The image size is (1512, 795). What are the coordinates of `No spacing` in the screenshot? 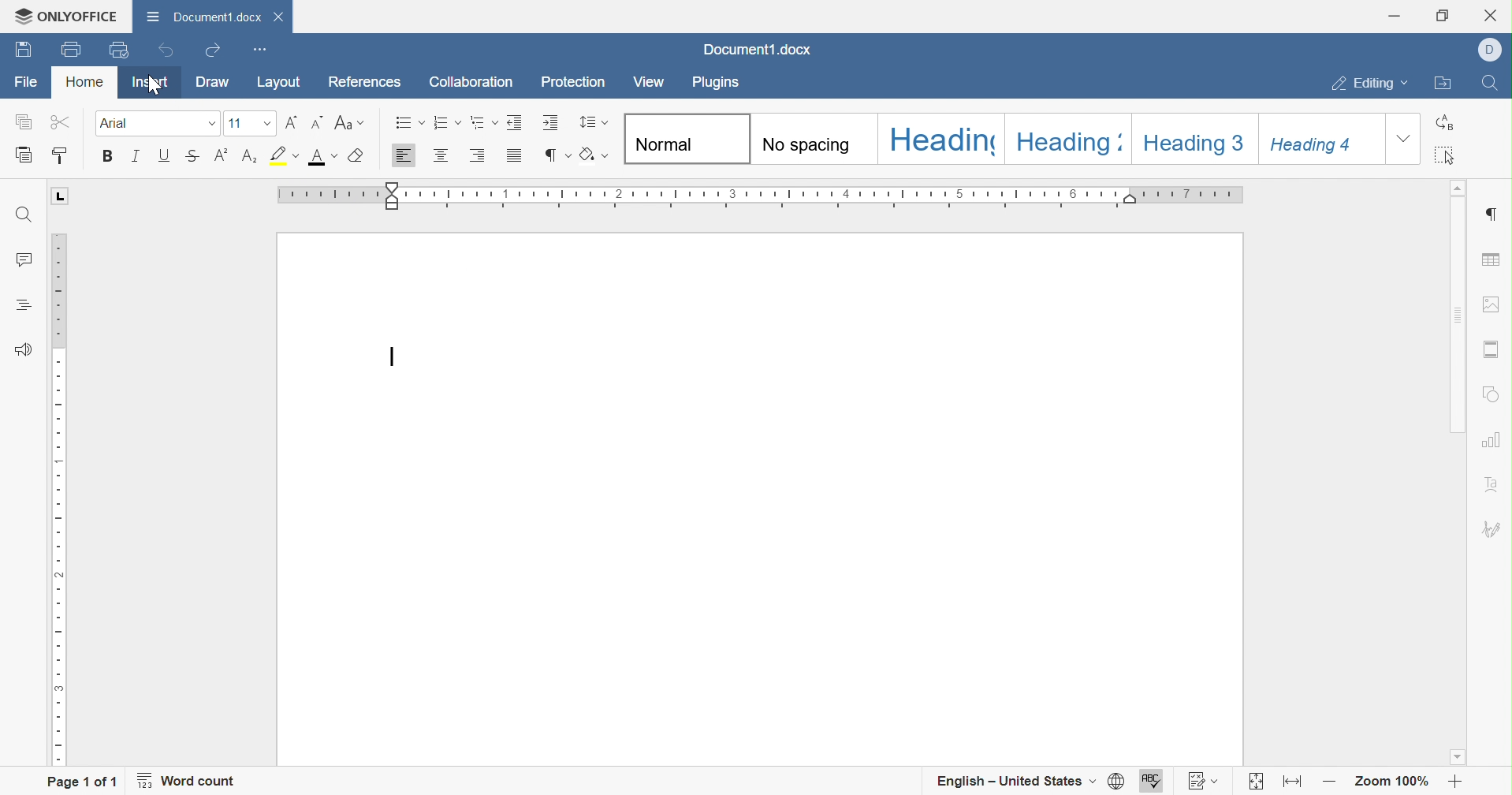 It's located at (816, 138).